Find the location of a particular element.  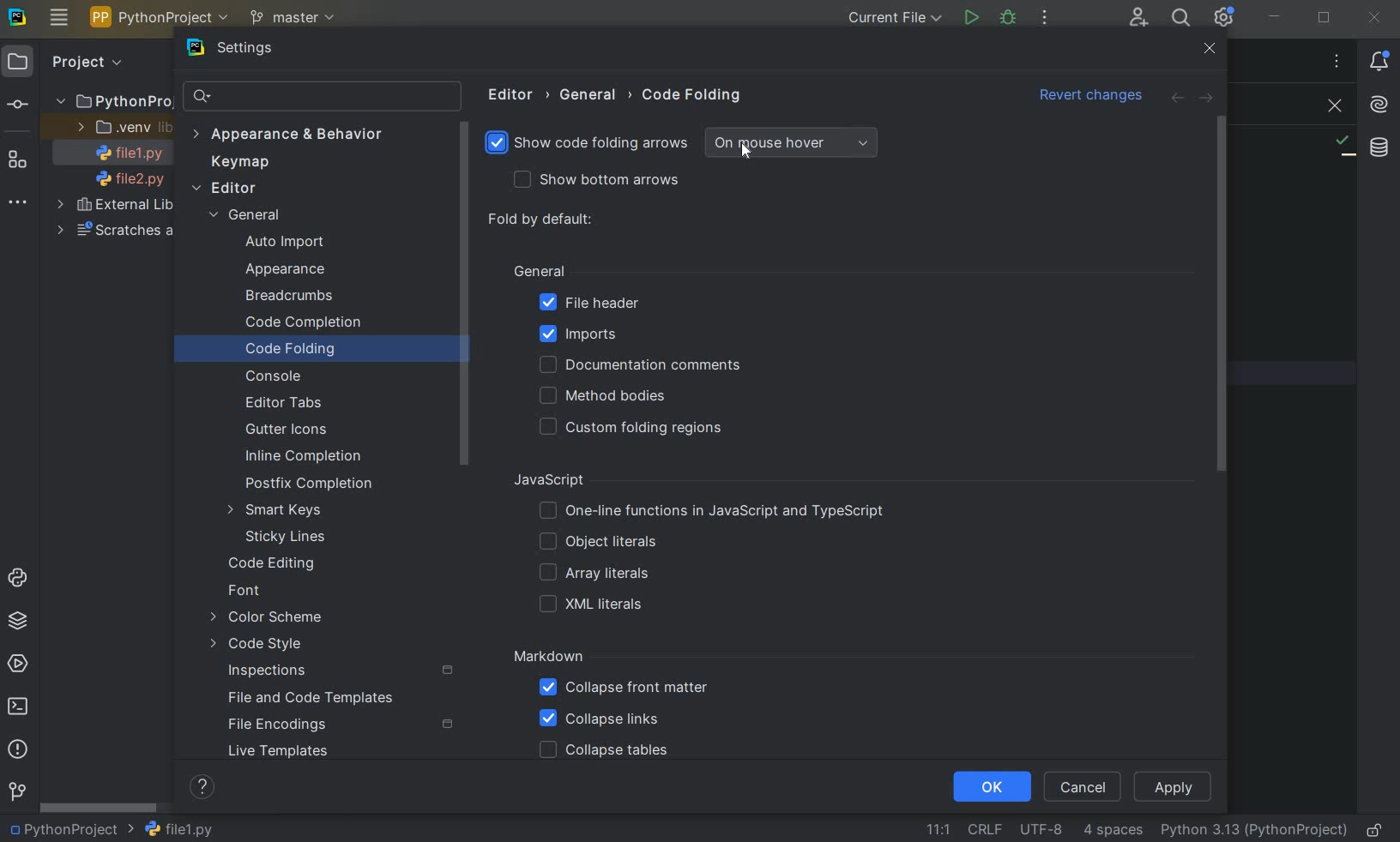

OK is located at coordinates (990, 788).